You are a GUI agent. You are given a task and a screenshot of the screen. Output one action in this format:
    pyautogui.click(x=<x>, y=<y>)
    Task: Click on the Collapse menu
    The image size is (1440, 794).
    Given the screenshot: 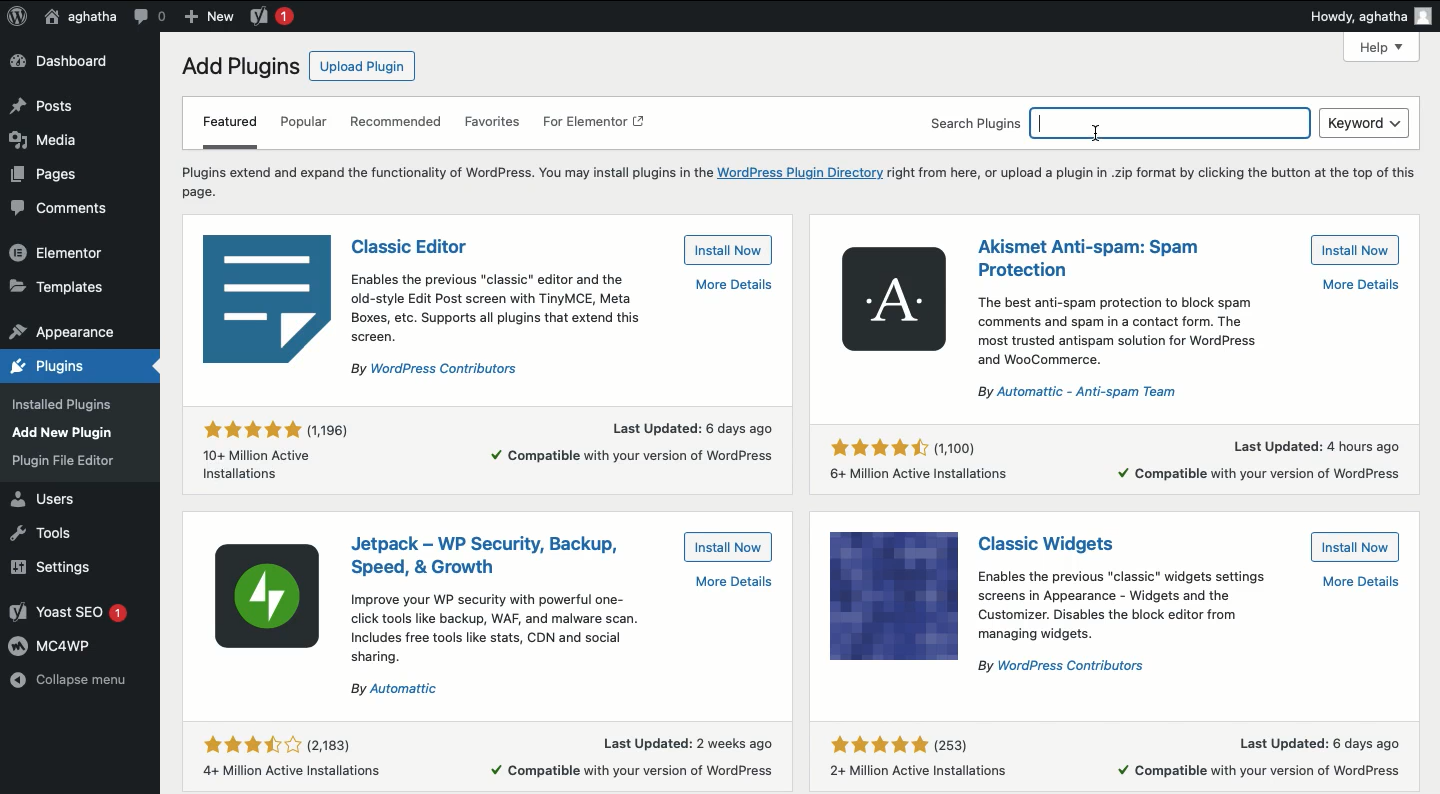 What is the action you would take?
    pyautogui.click(x=71, y=678)
    